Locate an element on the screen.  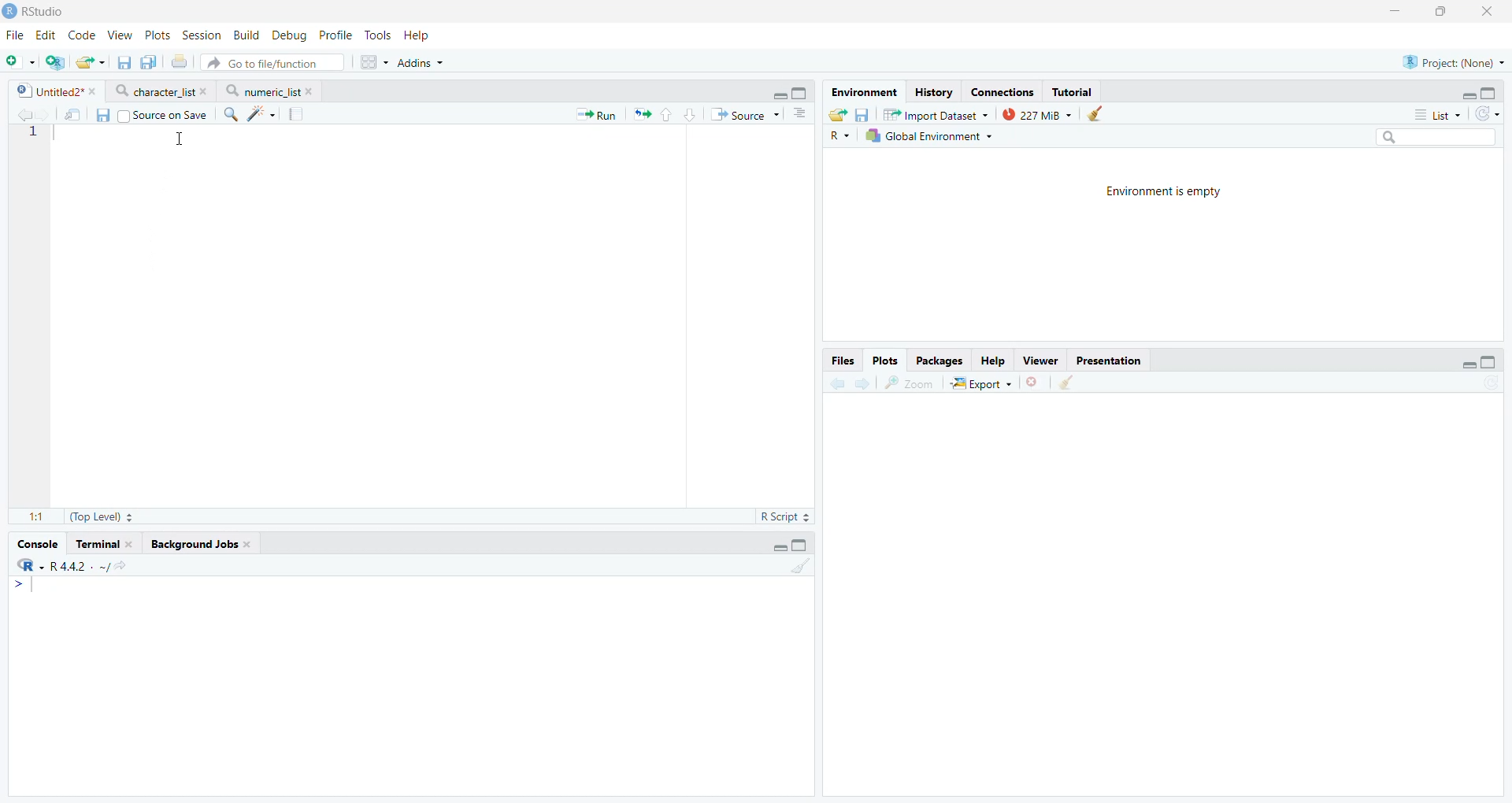
Background Jobs is located at coordinates (202, 542).